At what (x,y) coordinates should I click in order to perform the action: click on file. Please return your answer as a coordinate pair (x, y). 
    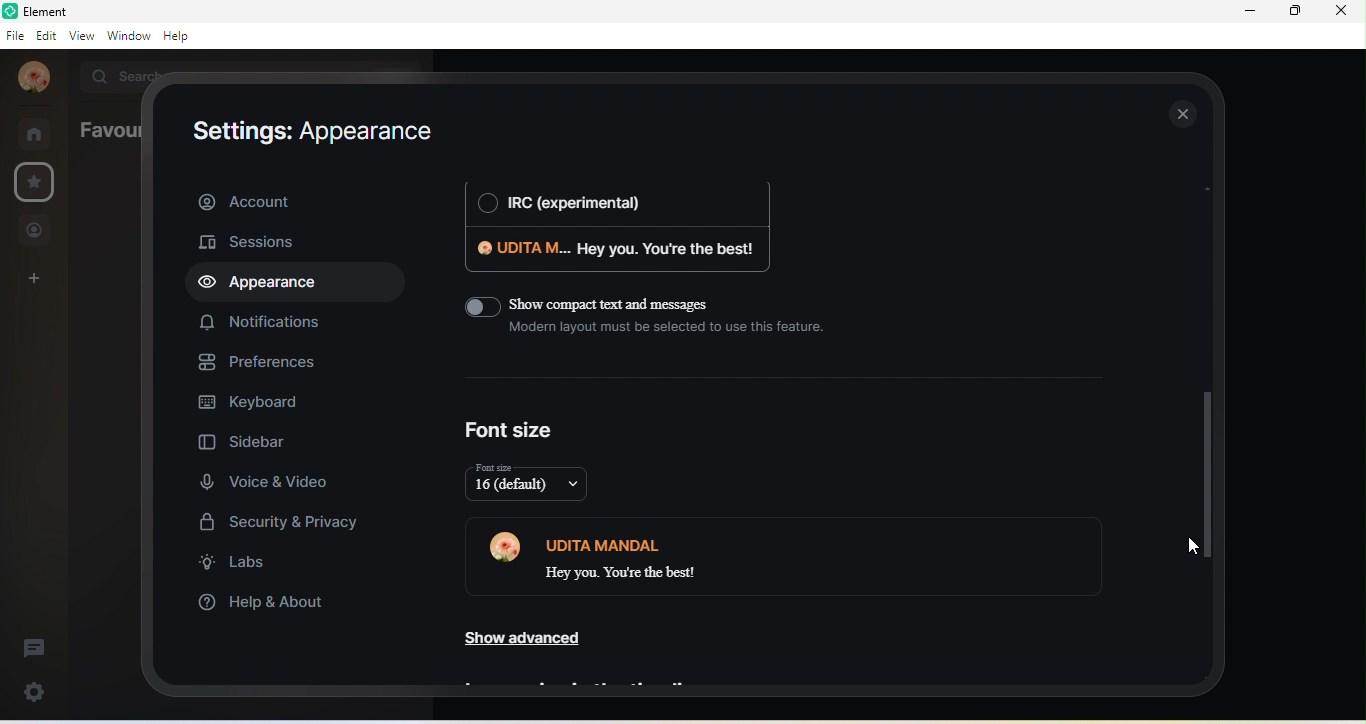
    Looking at the image, I should click on (15, 38).